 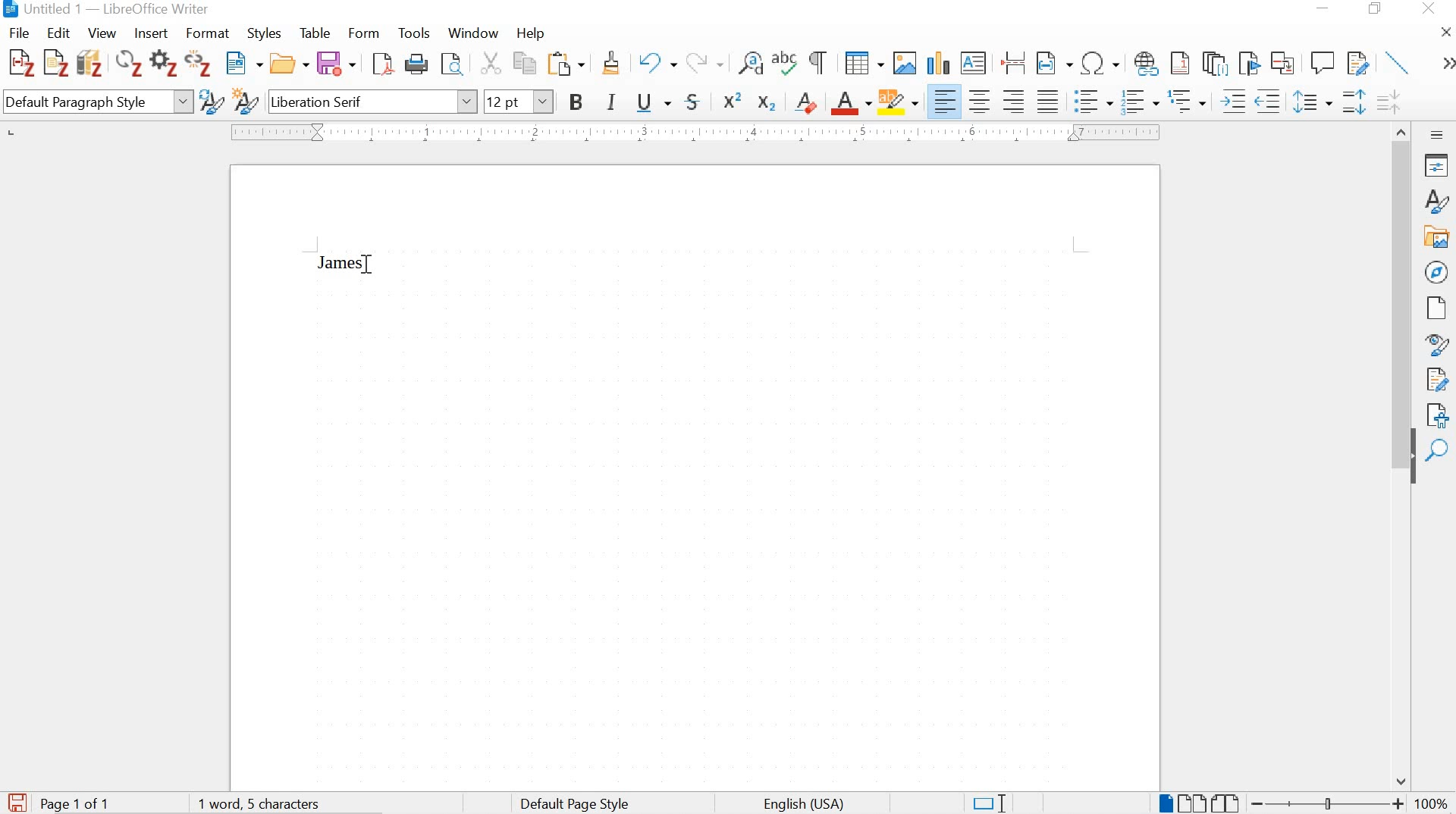 I want to click on insert, so click(x=149, y=34).